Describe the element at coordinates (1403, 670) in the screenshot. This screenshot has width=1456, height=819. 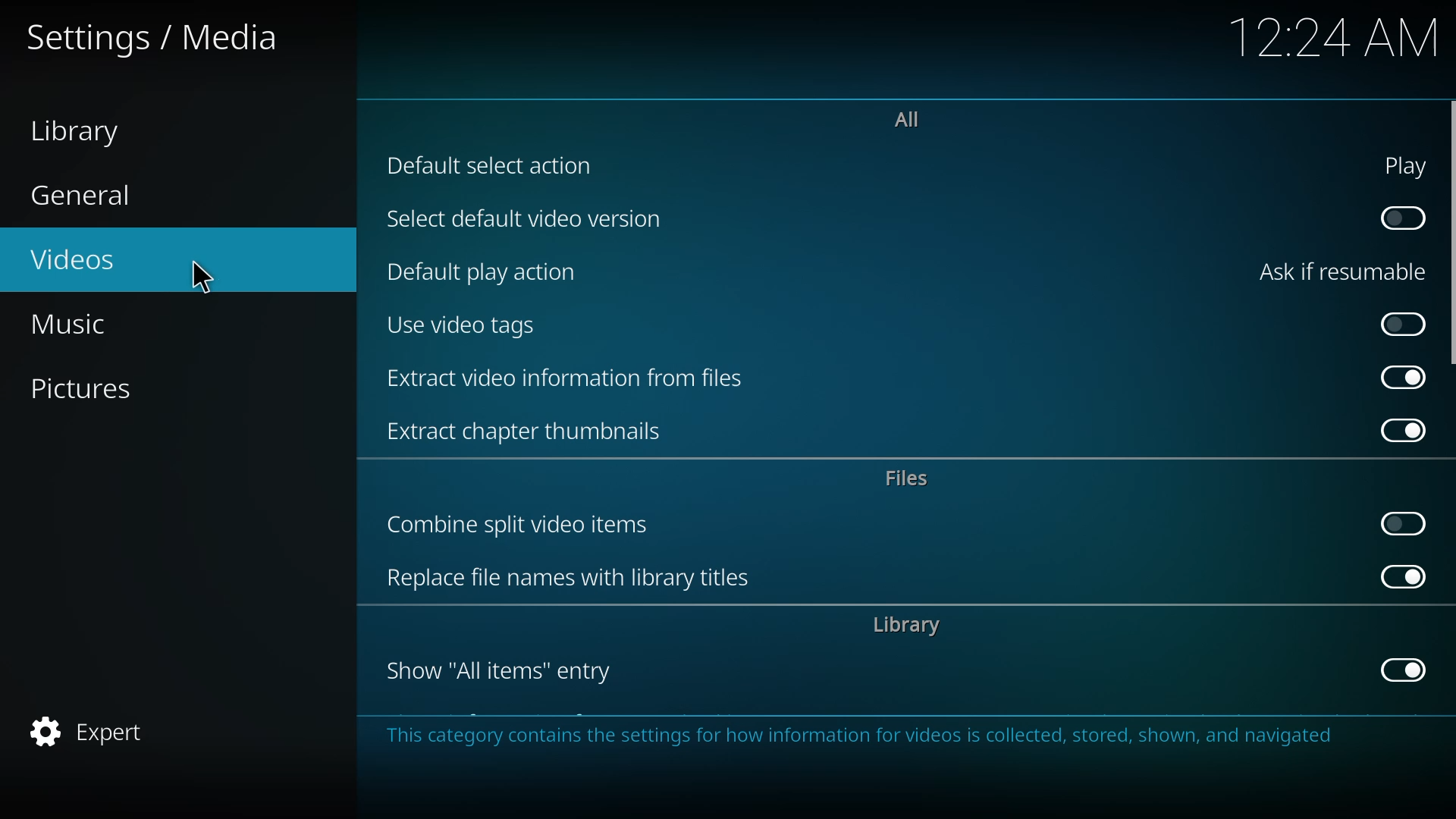
I see `enabled` at that location.